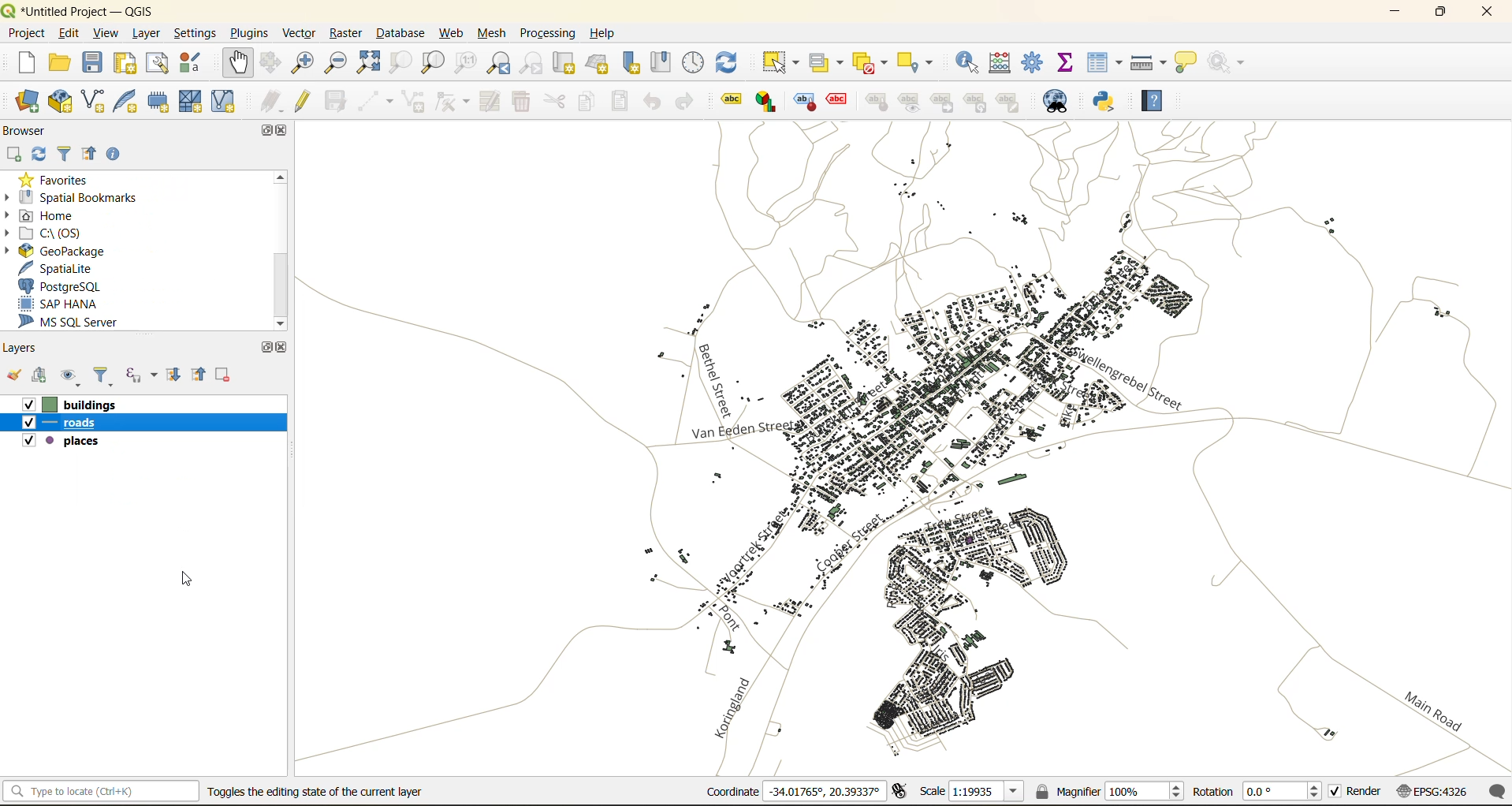 The height and width of the screenshot is (806, 1512). Describe the element at coordinates (1434, 790) in the screenshot. I see `crs` at that location.